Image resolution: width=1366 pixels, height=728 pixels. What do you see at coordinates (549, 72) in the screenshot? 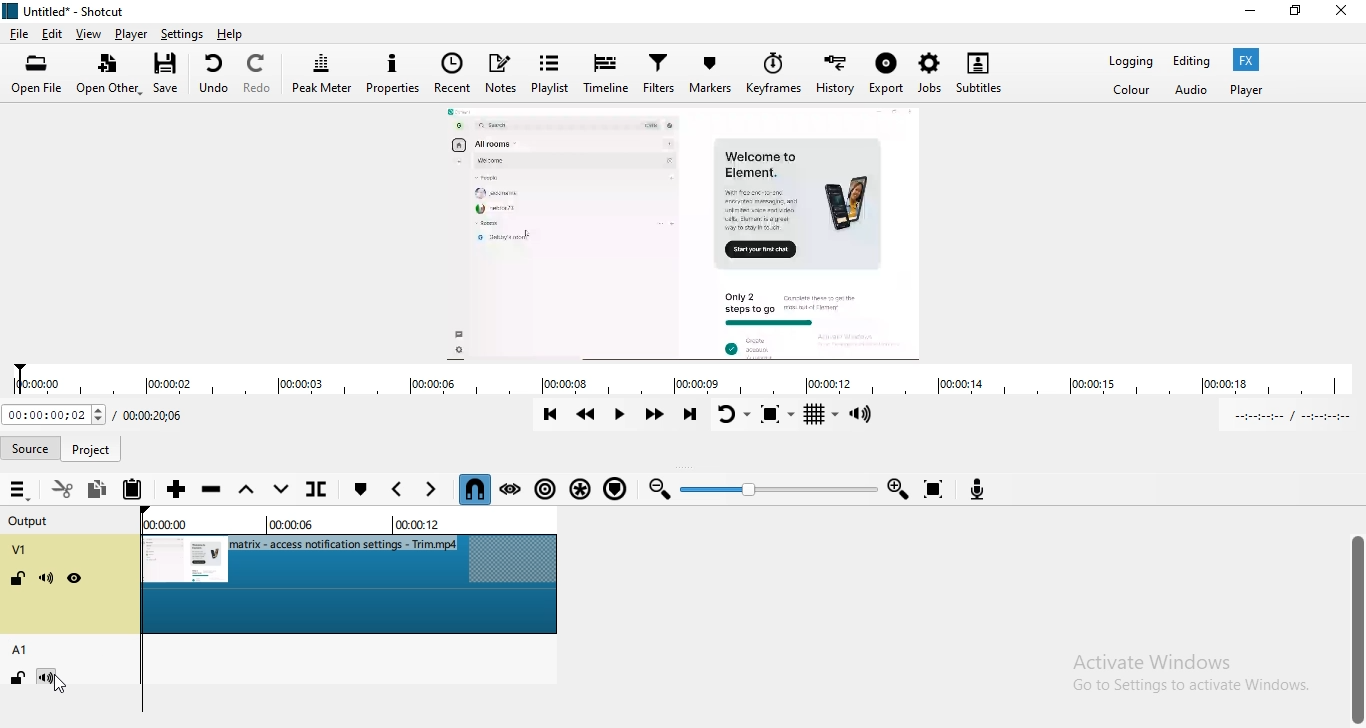
I see `Playlist` at bounding box center [549, 72].